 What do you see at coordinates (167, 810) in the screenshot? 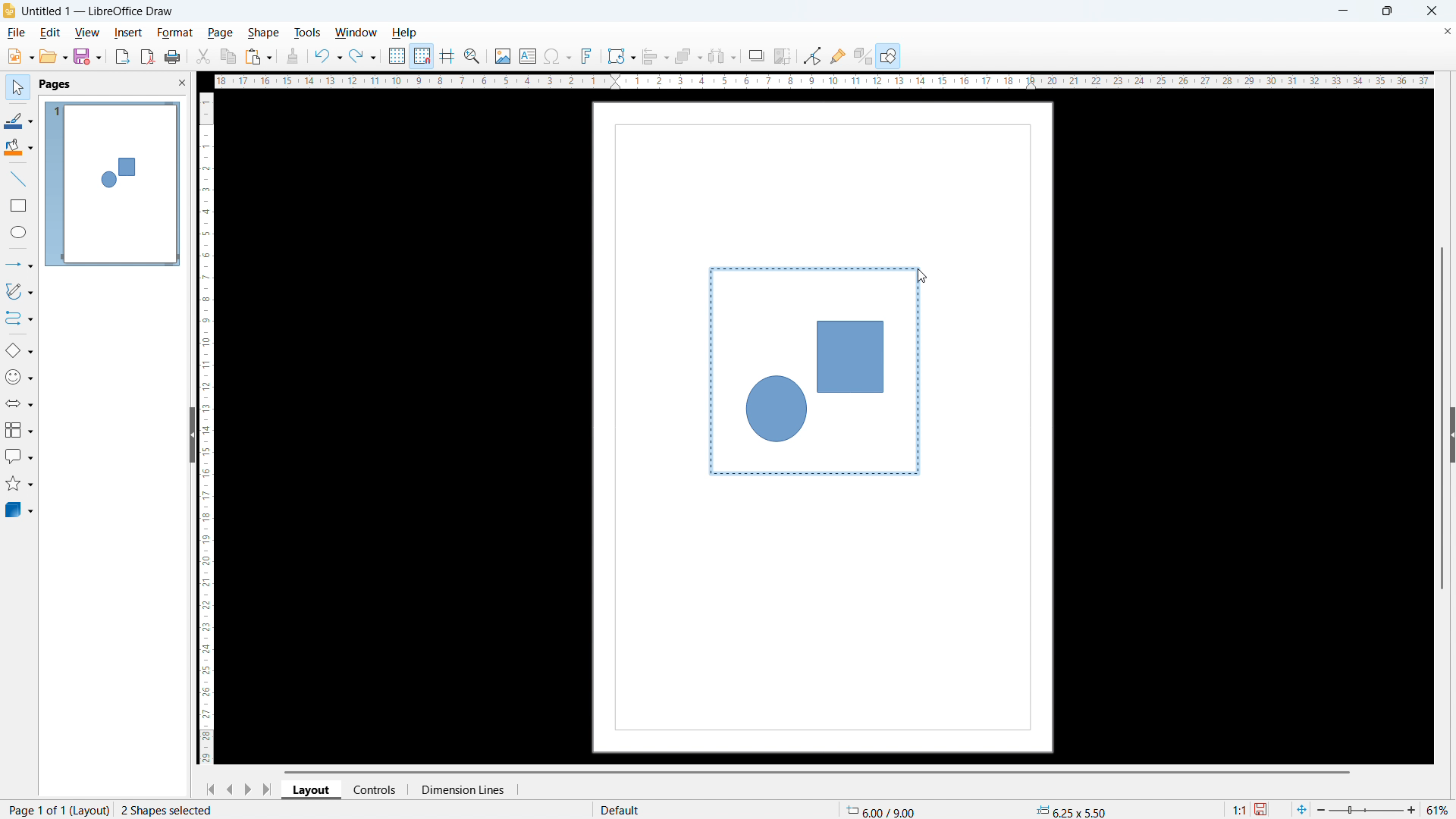
I see `2 shapes selcted` at bounding box center [167, 810].